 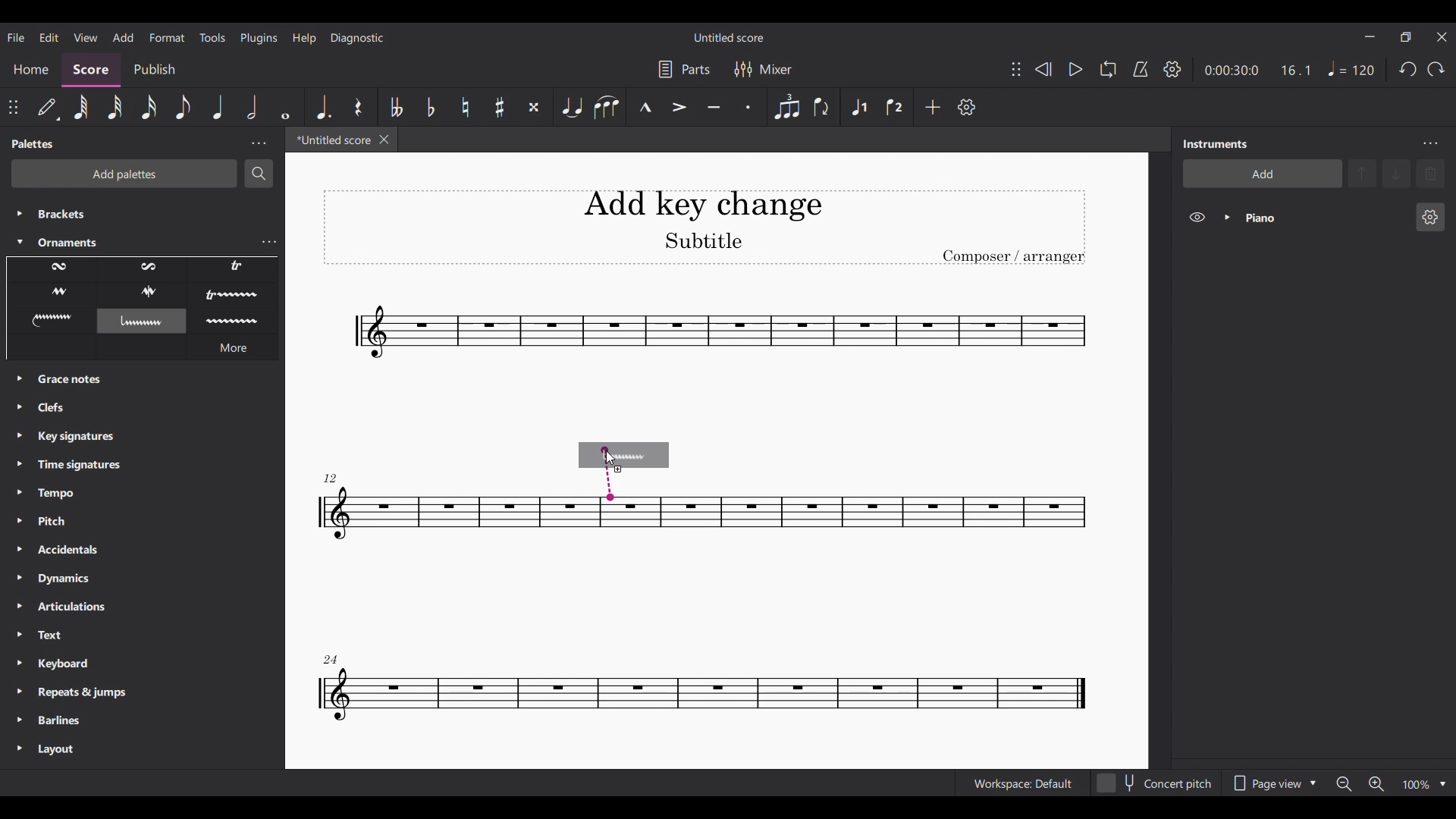 I want to click on Add palettes, so click(x=124, y=174).